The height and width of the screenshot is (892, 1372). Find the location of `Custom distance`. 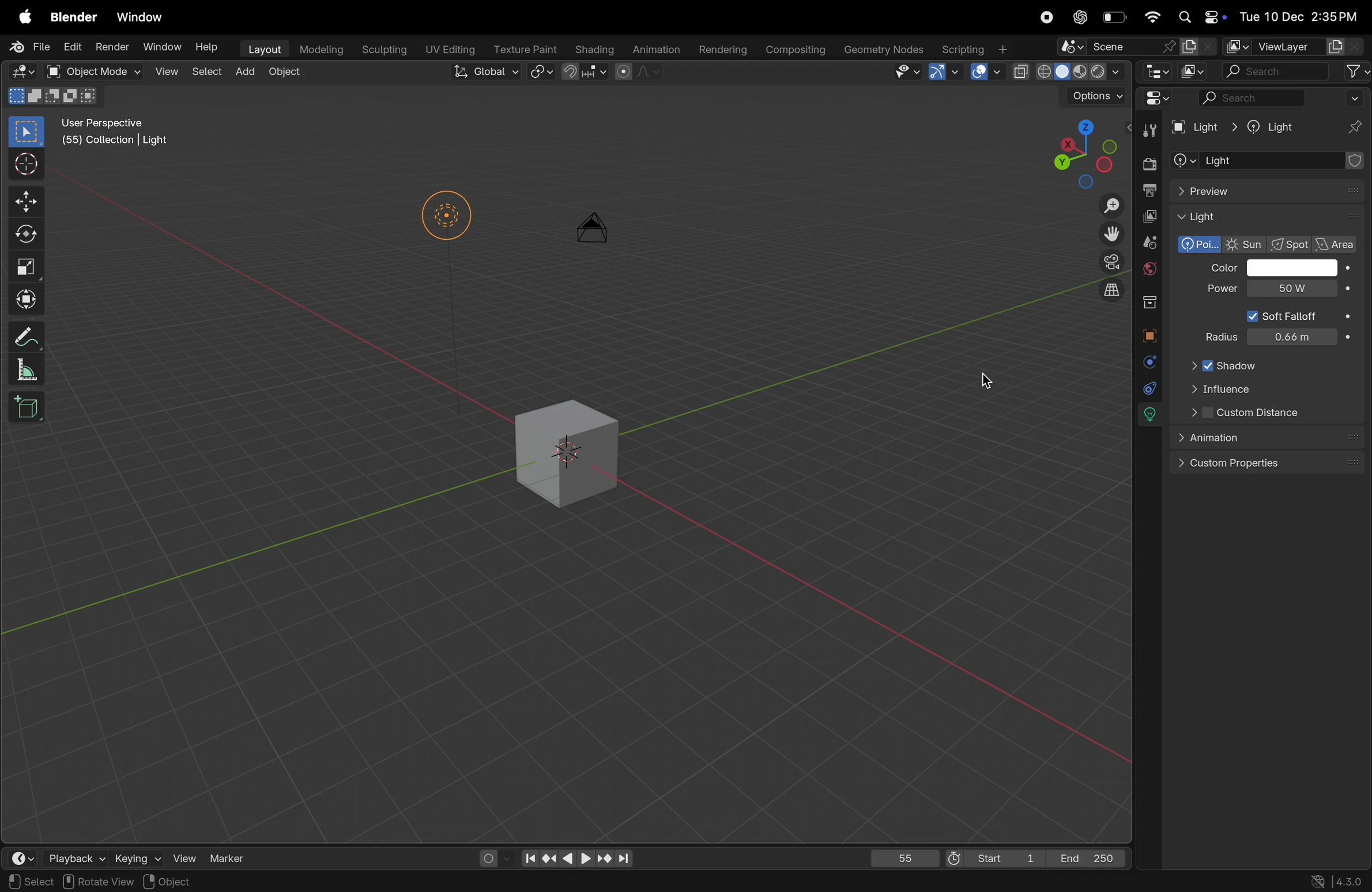

Custom distance is located at coordinates (1270, 411).